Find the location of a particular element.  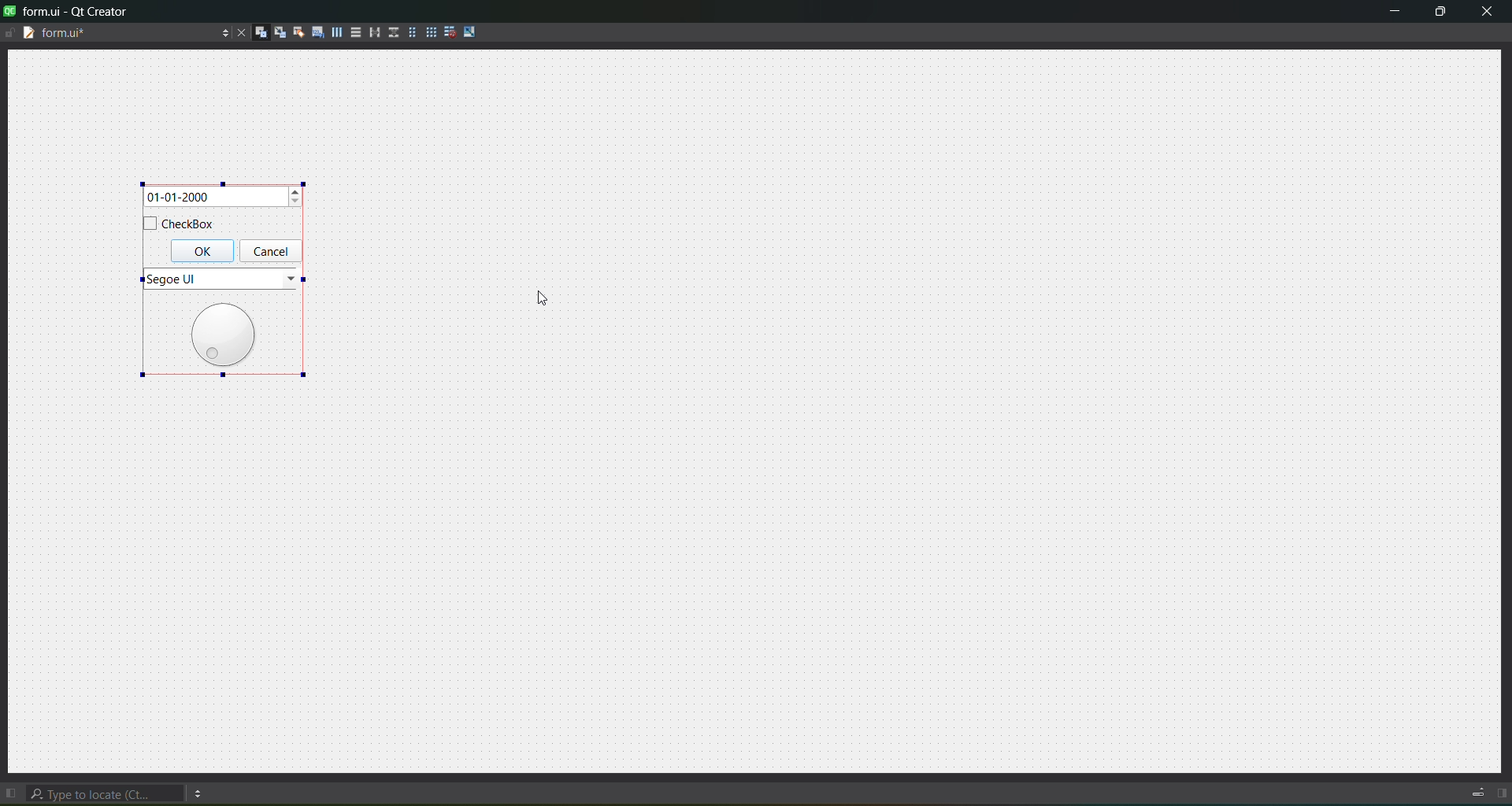

Stacked Widgets Vertically in QT Box Layout is located at coordinates (223, 279).